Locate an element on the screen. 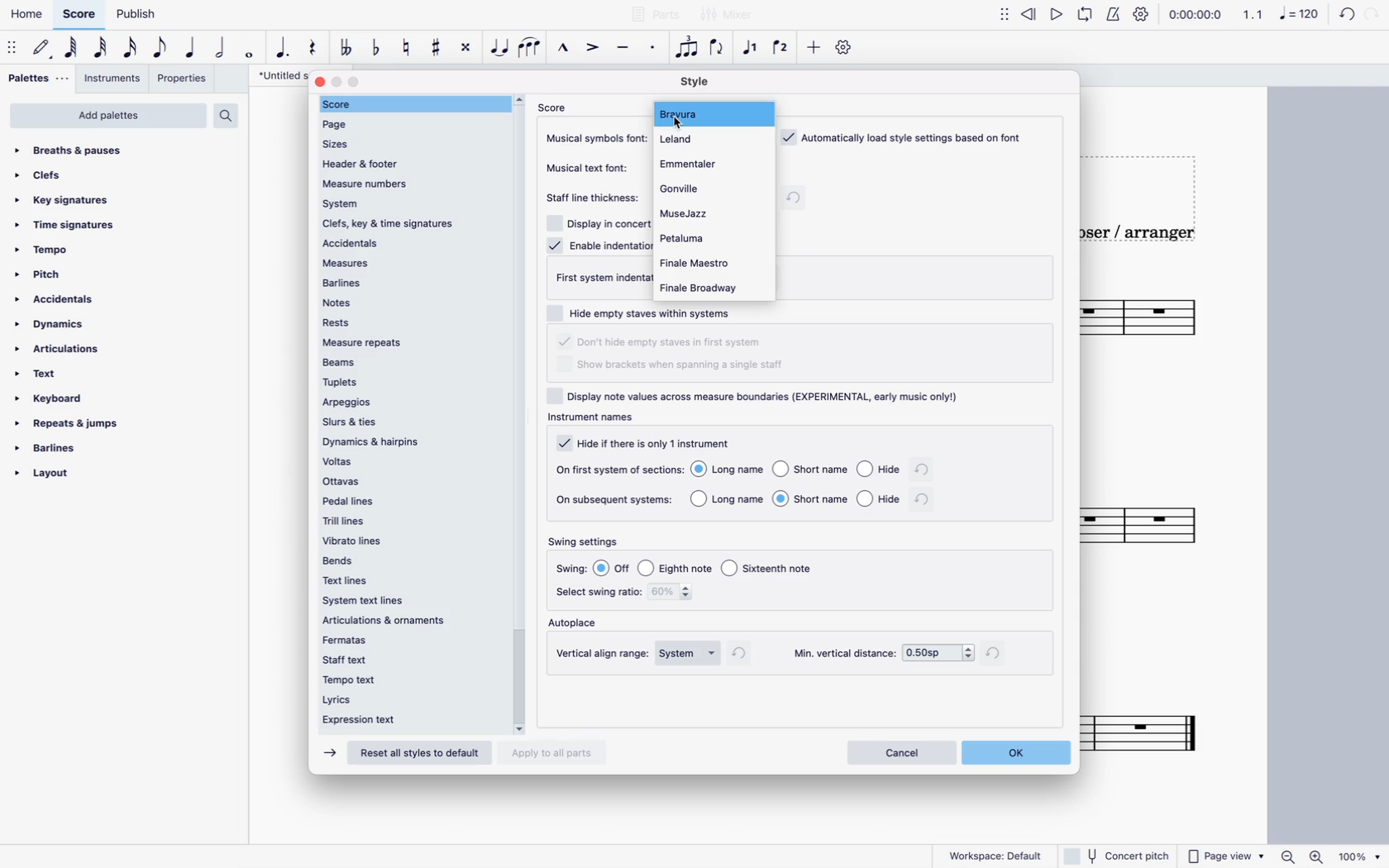 This screenshot has height=868, width=1389. composer / arranger is located at coordinates (1153, 234).